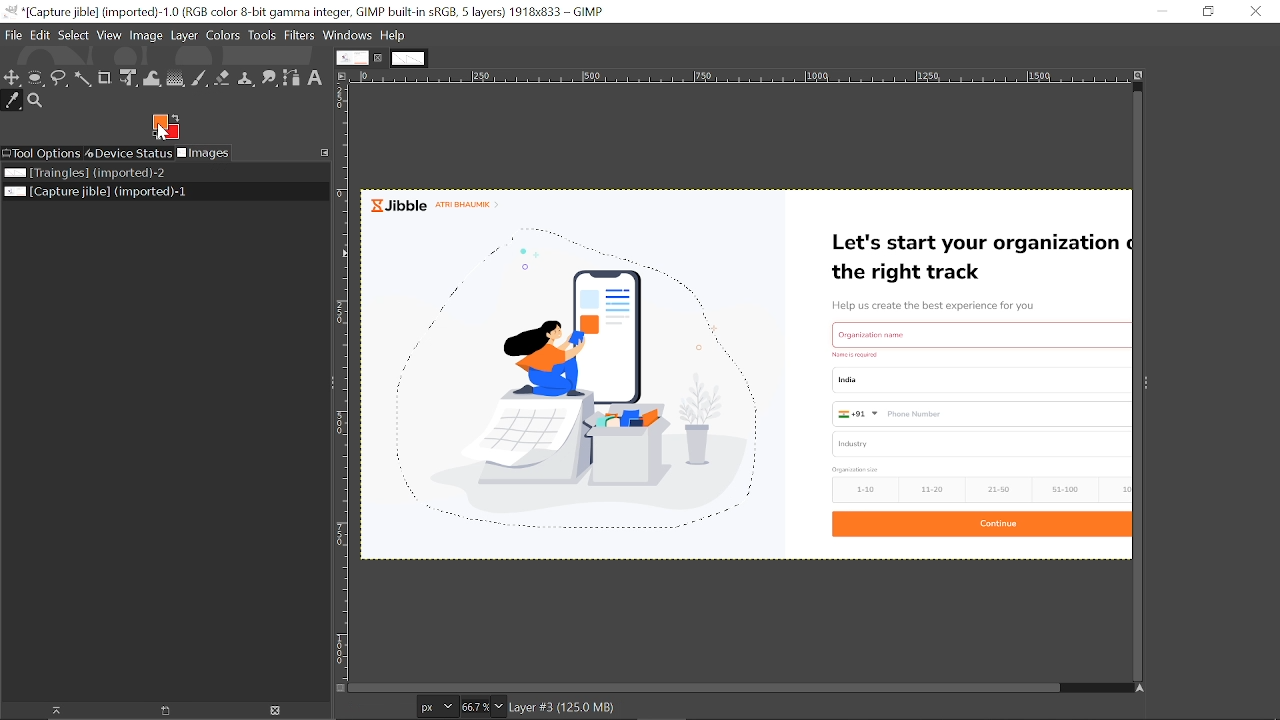  Describe the element at coordinates (110, 36) in the screenshot. I see `View` at that location.